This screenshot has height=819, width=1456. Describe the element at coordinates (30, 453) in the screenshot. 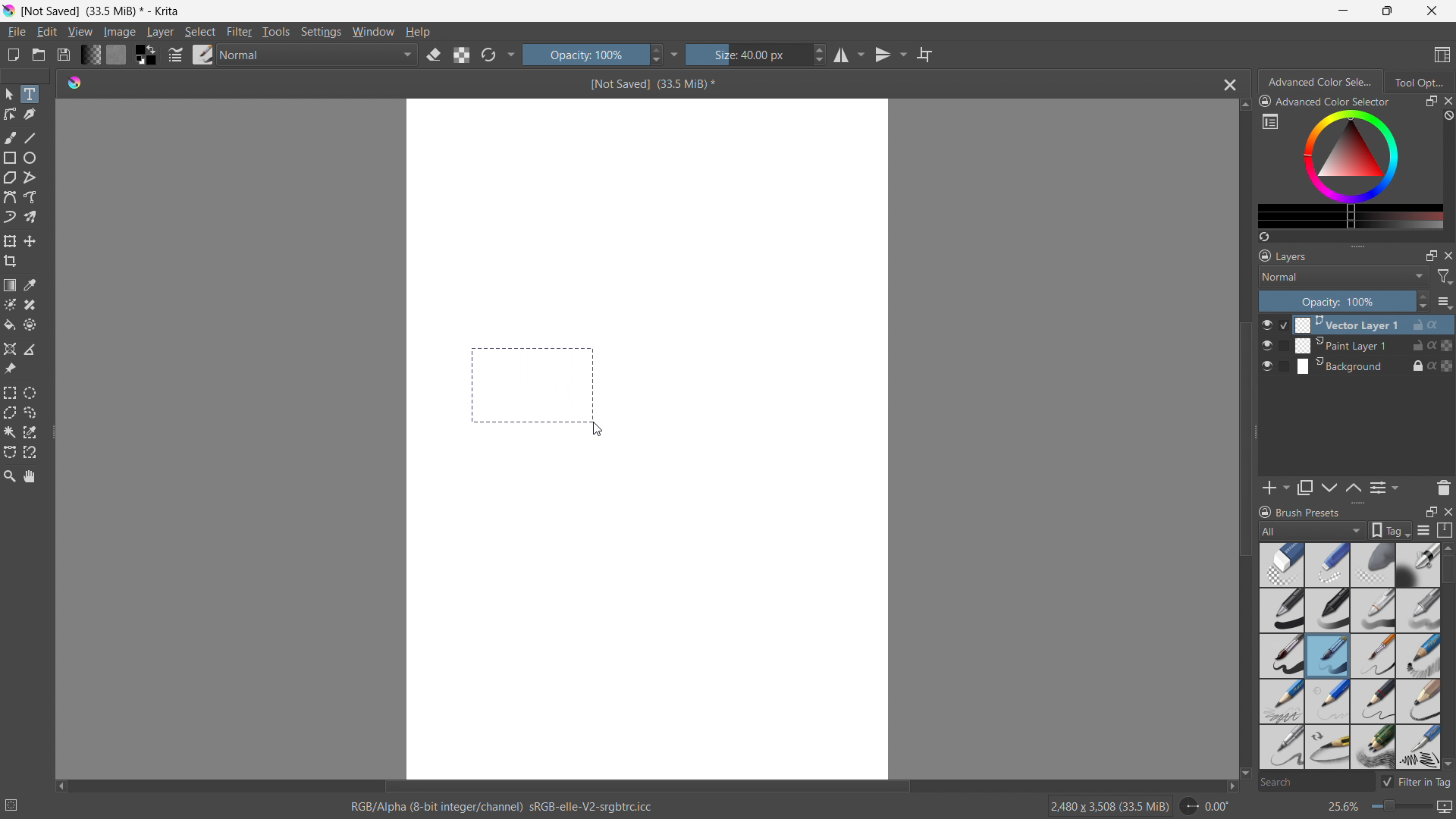

I see `magnetic curve selection tool` at that location.